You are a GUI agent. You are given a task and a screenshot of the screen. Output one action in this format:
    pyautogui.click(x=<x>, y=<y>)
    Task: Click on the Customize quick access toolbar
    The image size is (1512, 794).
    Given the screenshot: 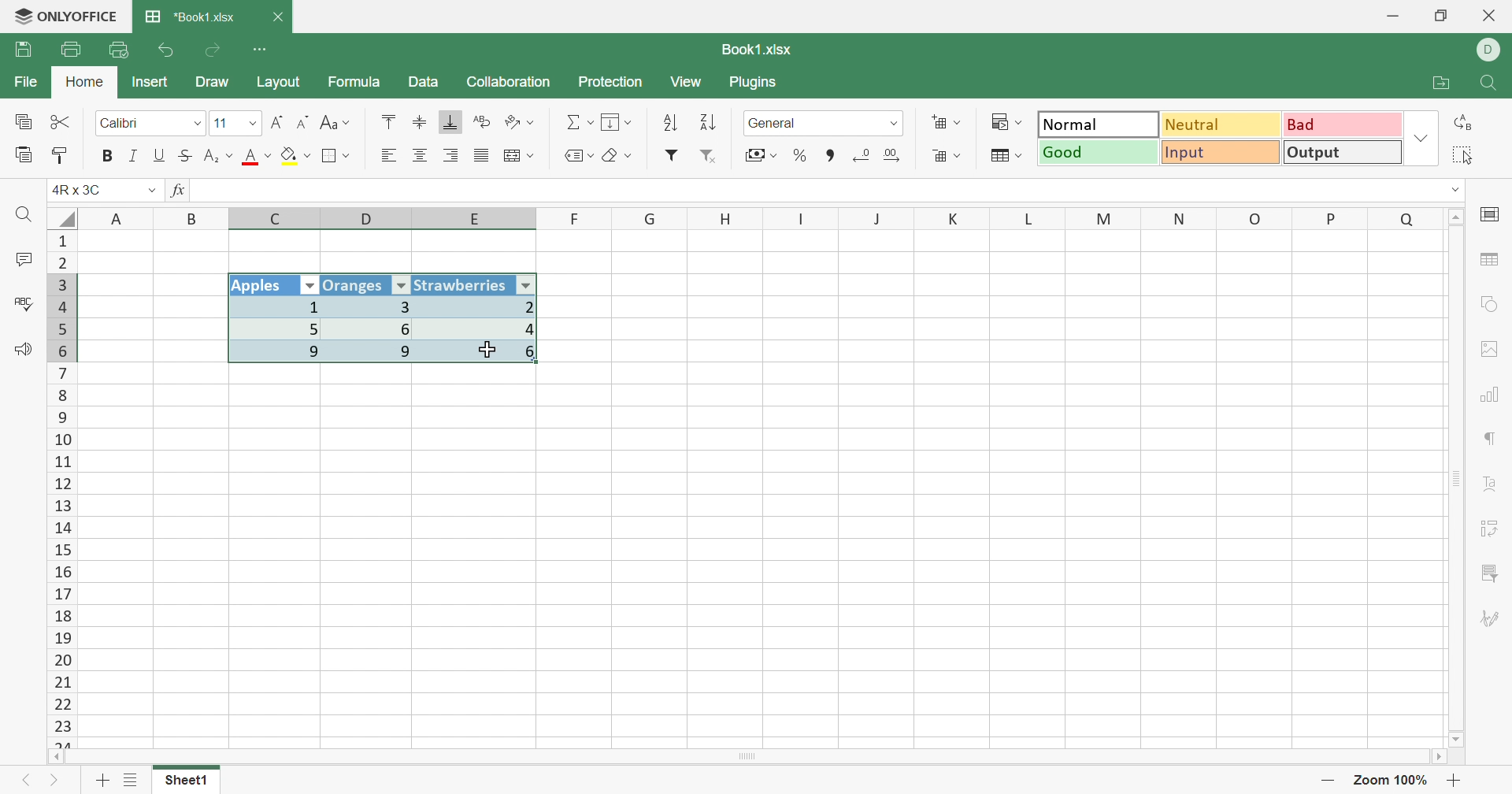 What is the action you would take?
    pyautogui.click(x=261, y=47)
    